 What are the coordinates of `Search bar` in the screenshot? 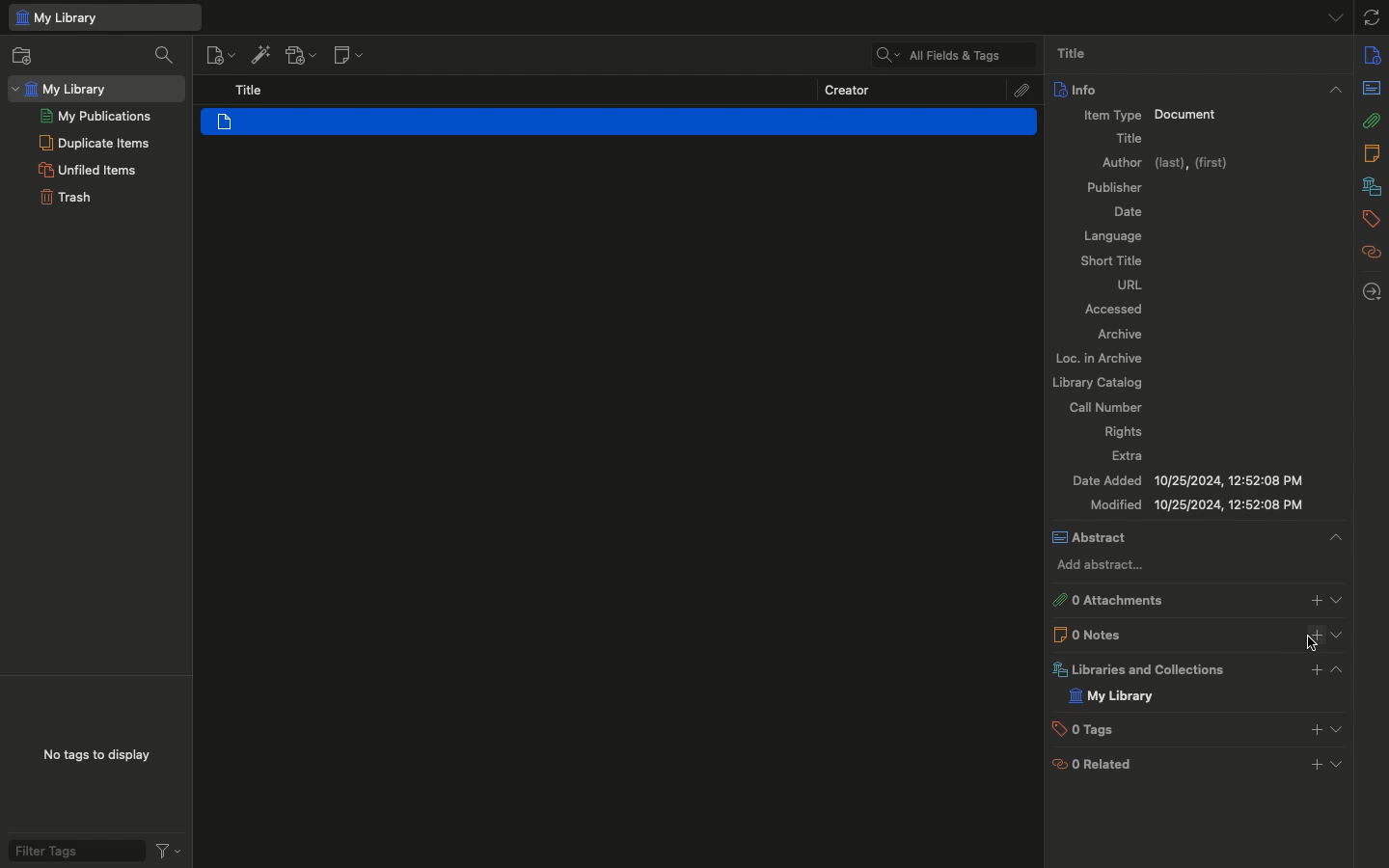 It's located at (947, 54).